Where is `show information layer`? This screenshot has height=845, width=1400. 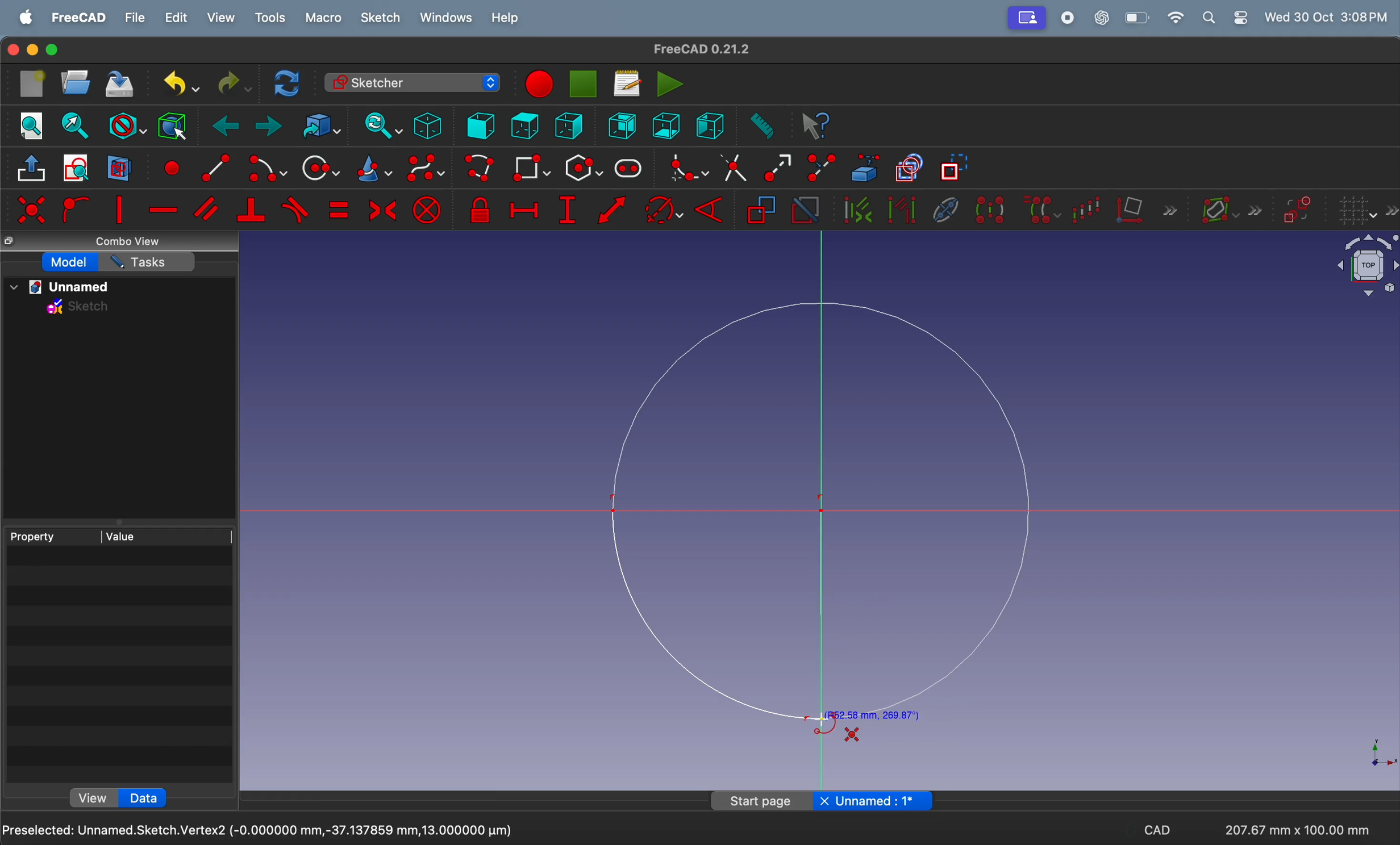 show information layer is located at coordinates (1228, 208).